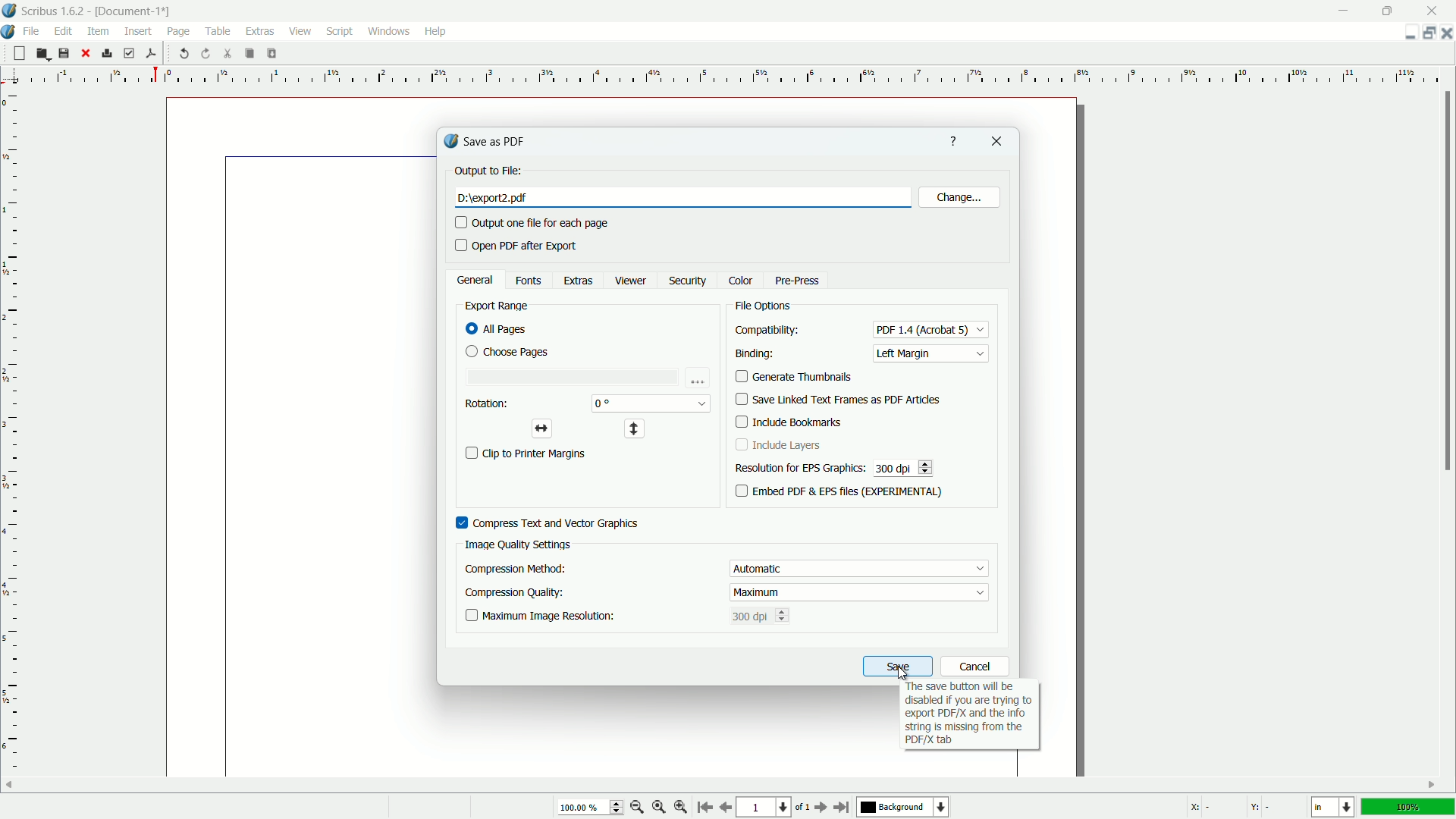  I want to click on compression method, so click(516, 569).